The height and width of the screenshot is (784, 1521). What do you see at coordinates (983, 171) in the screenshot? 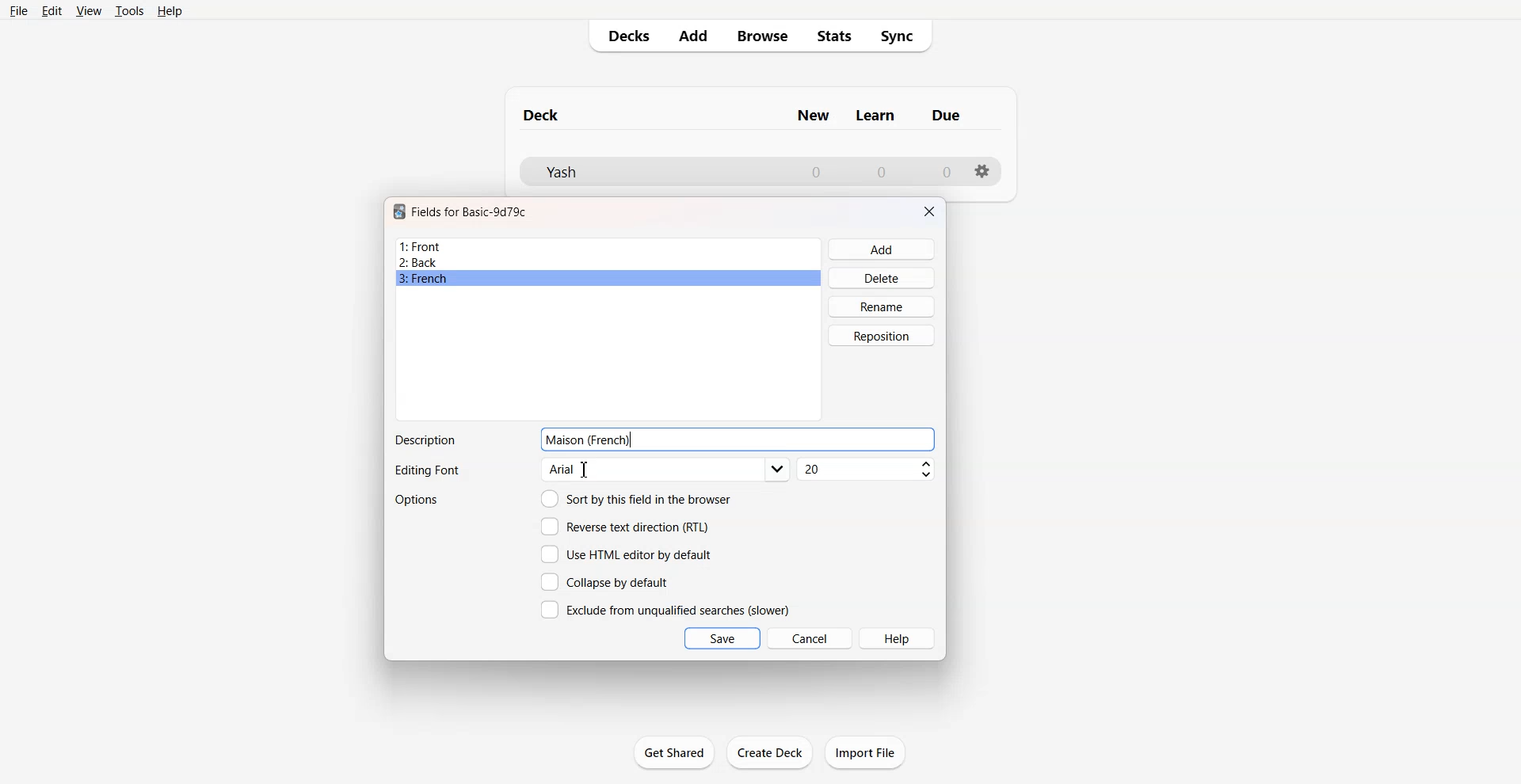
I see `Settings` at bounding box center [983, 171].